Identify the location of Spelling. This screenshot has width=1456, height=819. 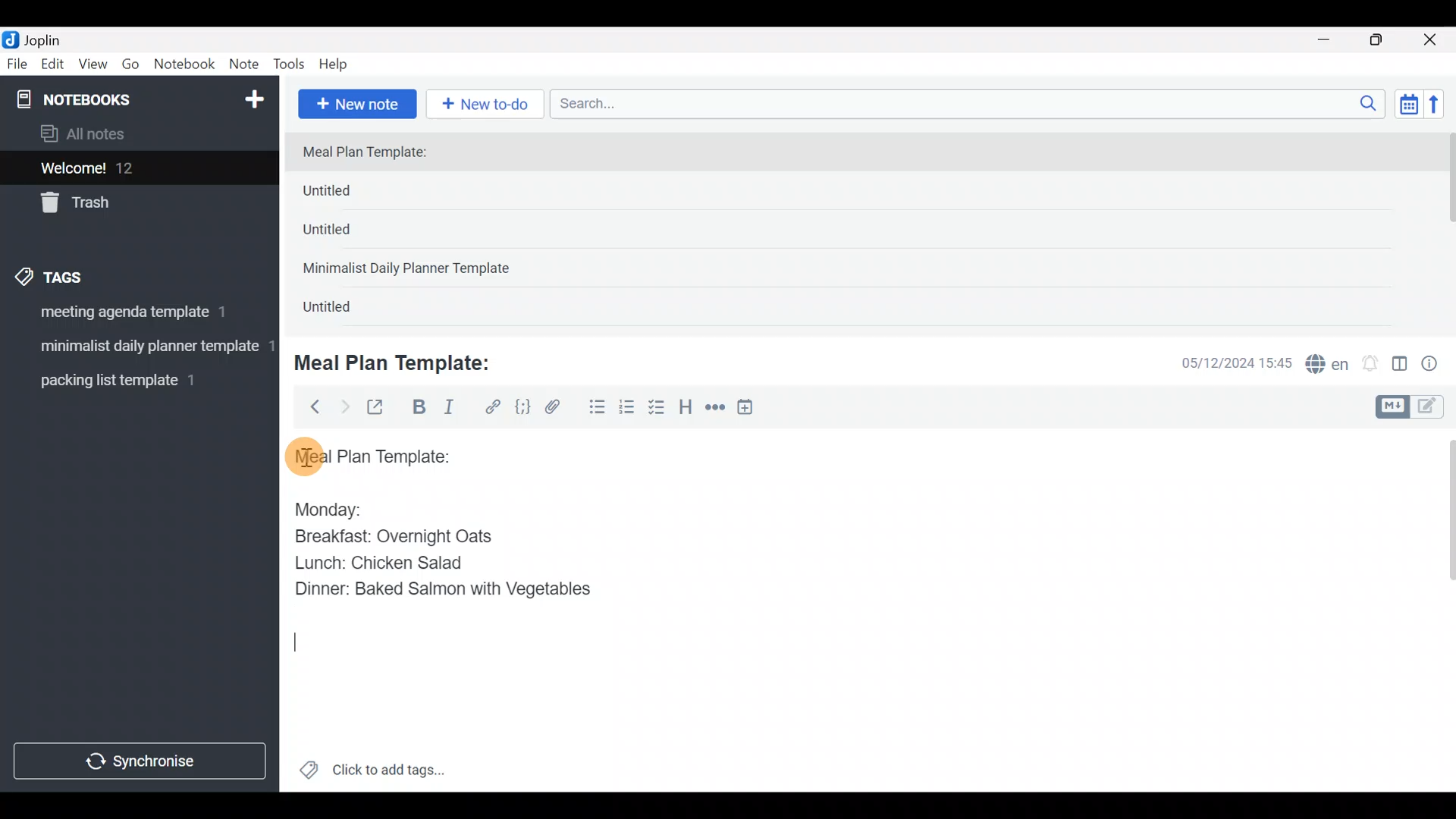
(1328, 366).